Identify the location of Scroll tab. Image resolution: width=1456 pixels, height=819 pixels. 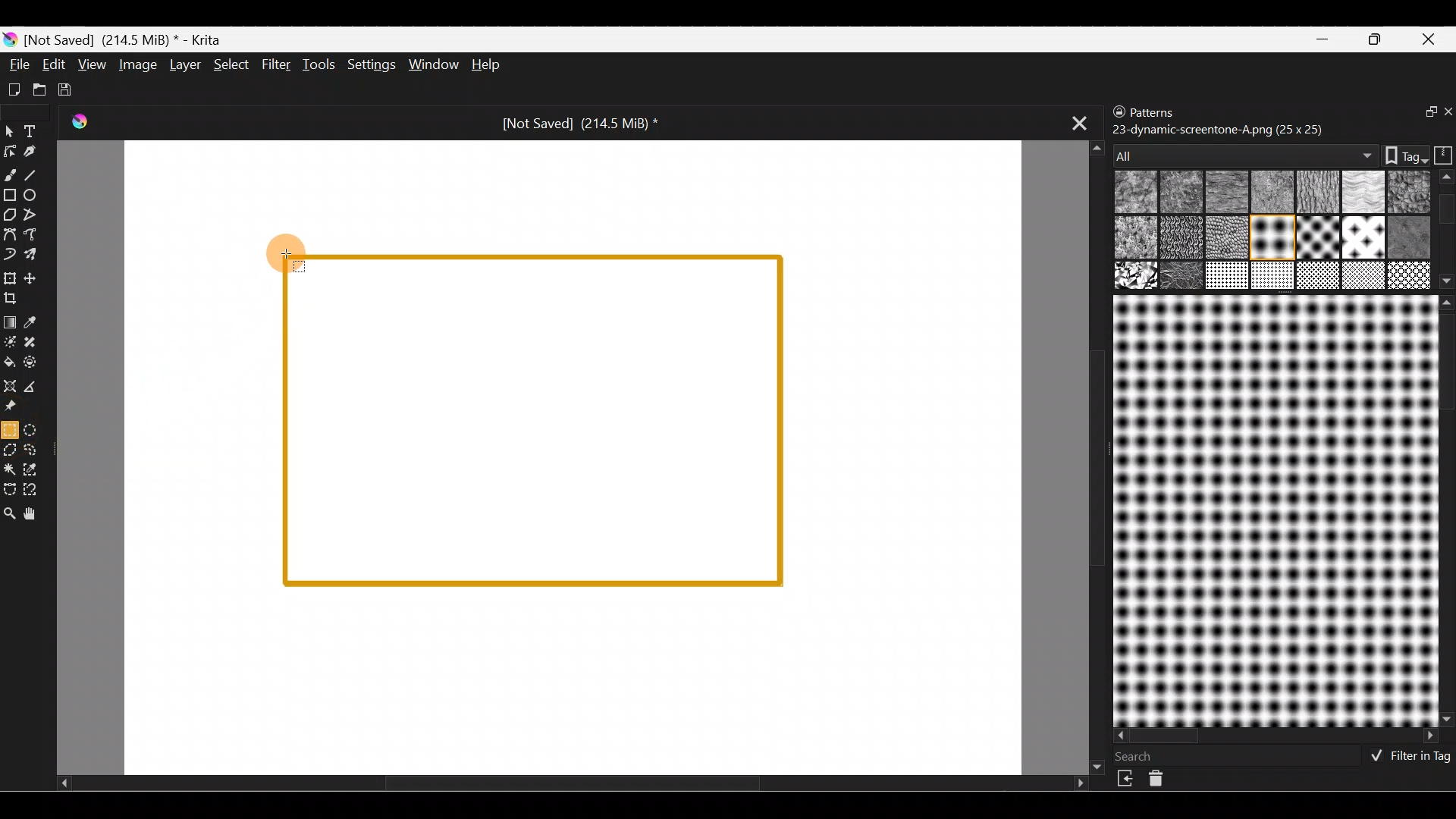
(572, 787).